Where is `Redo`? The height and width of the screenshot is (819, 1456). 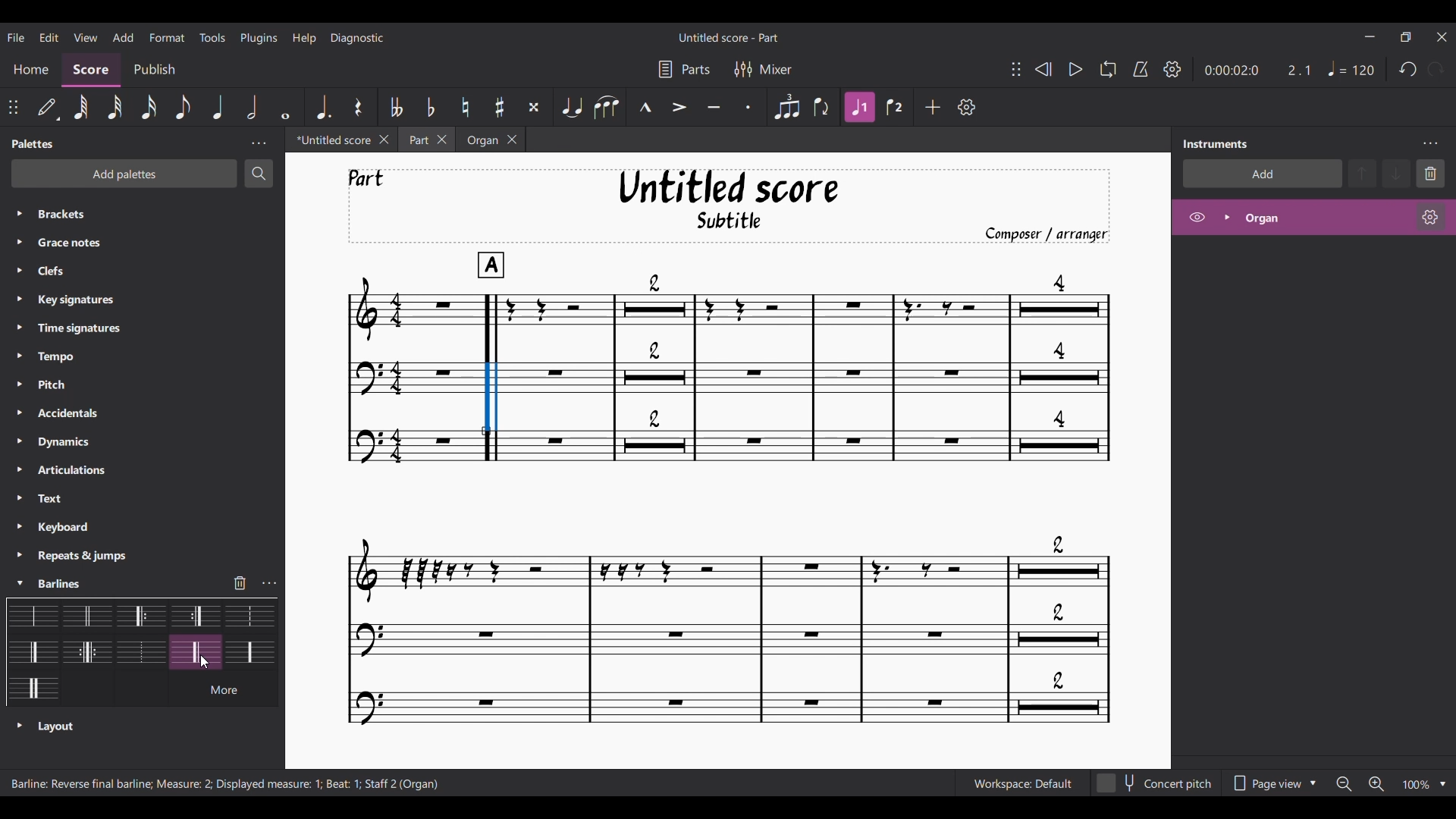 Redo is located at coordinates (1436, 69).